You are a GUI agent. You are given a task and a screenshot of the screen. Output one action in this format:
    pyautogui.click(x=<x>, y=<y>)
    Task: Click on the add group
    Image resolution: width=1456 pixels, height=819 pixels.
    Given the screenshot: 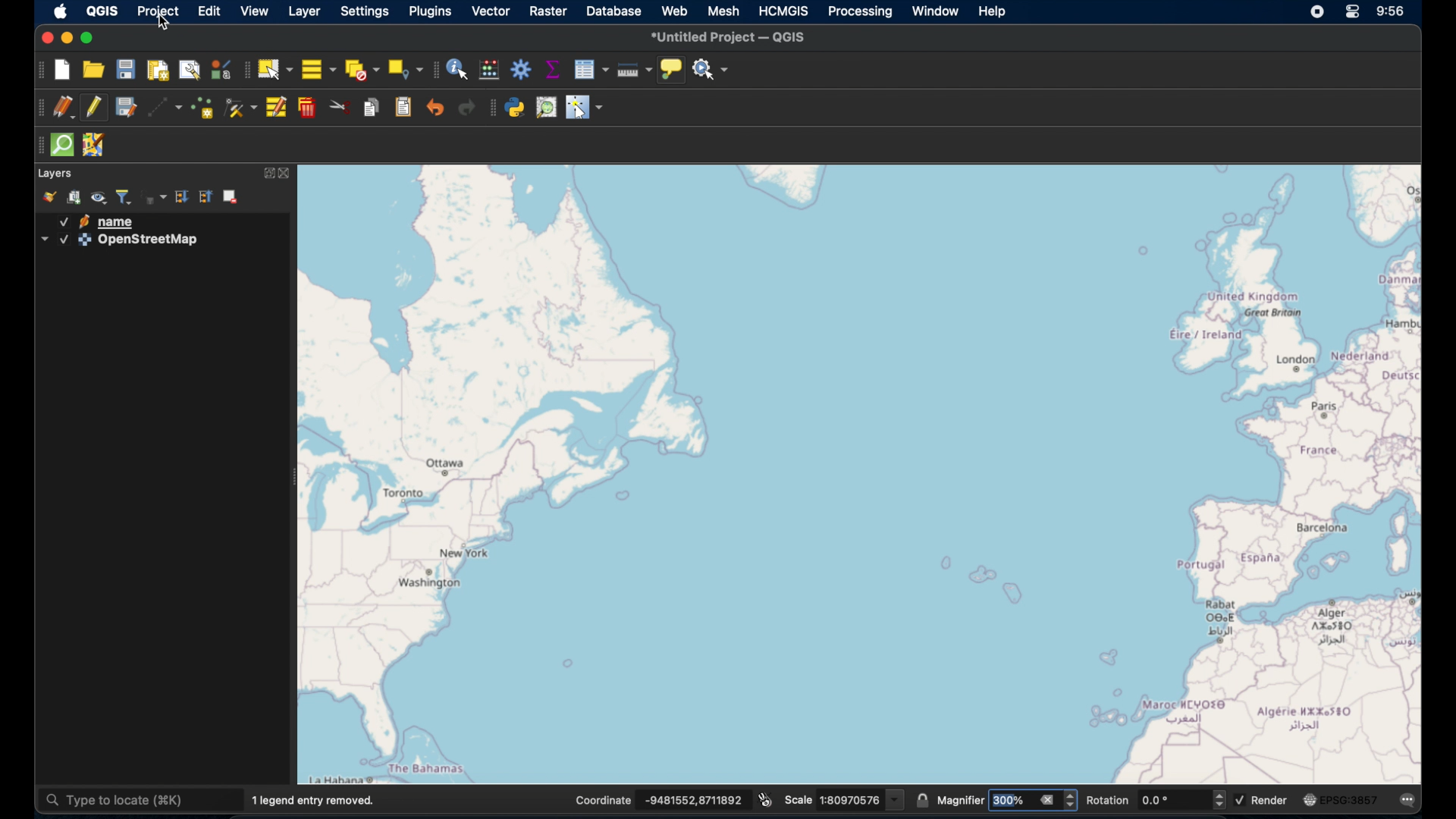 What is the action you would take?
    pyautogui.click(x=77, y=197)
    